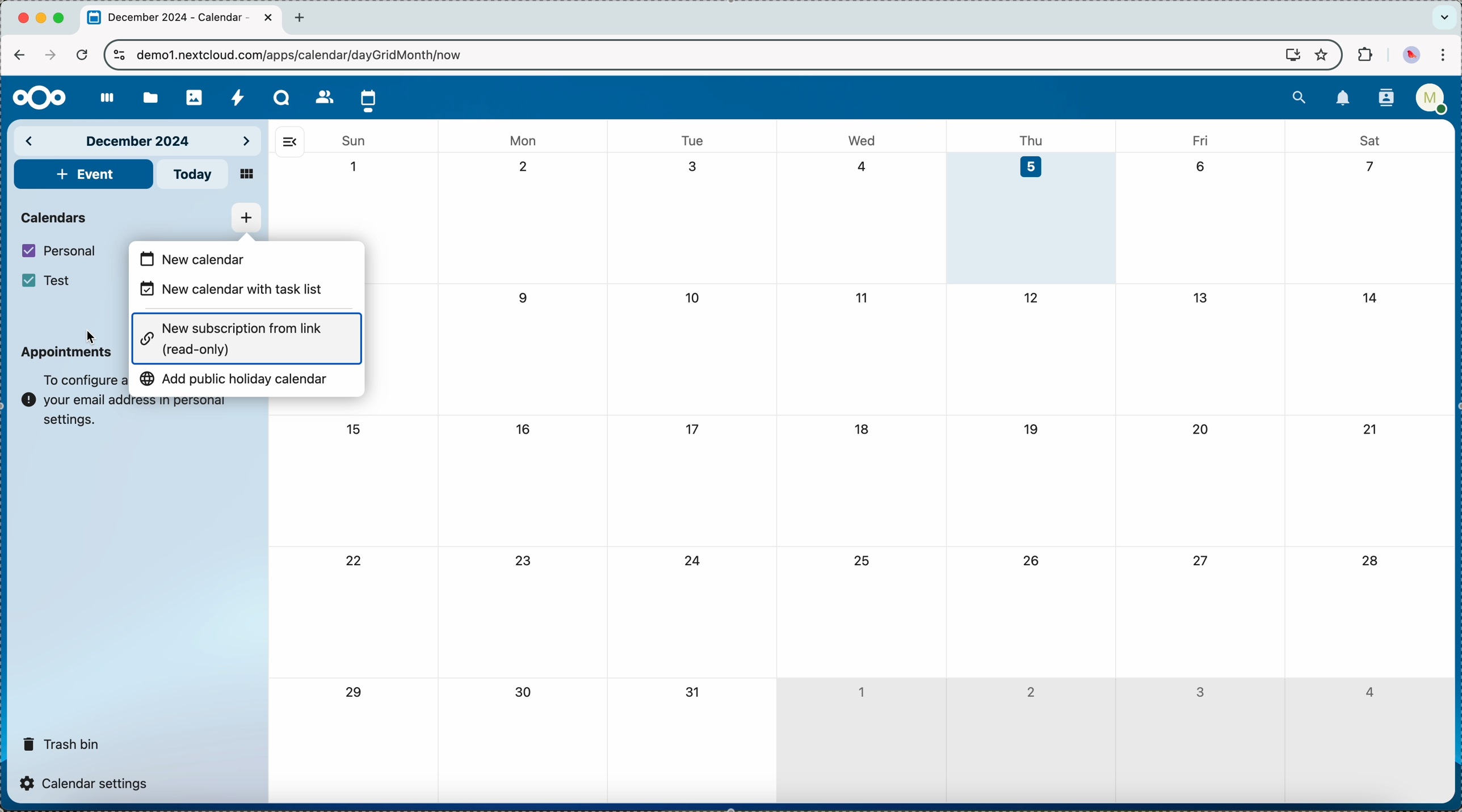  What do you see at coordinates (694, 166) in the screenshot?
I see `3` at bounding box center [694, 166].